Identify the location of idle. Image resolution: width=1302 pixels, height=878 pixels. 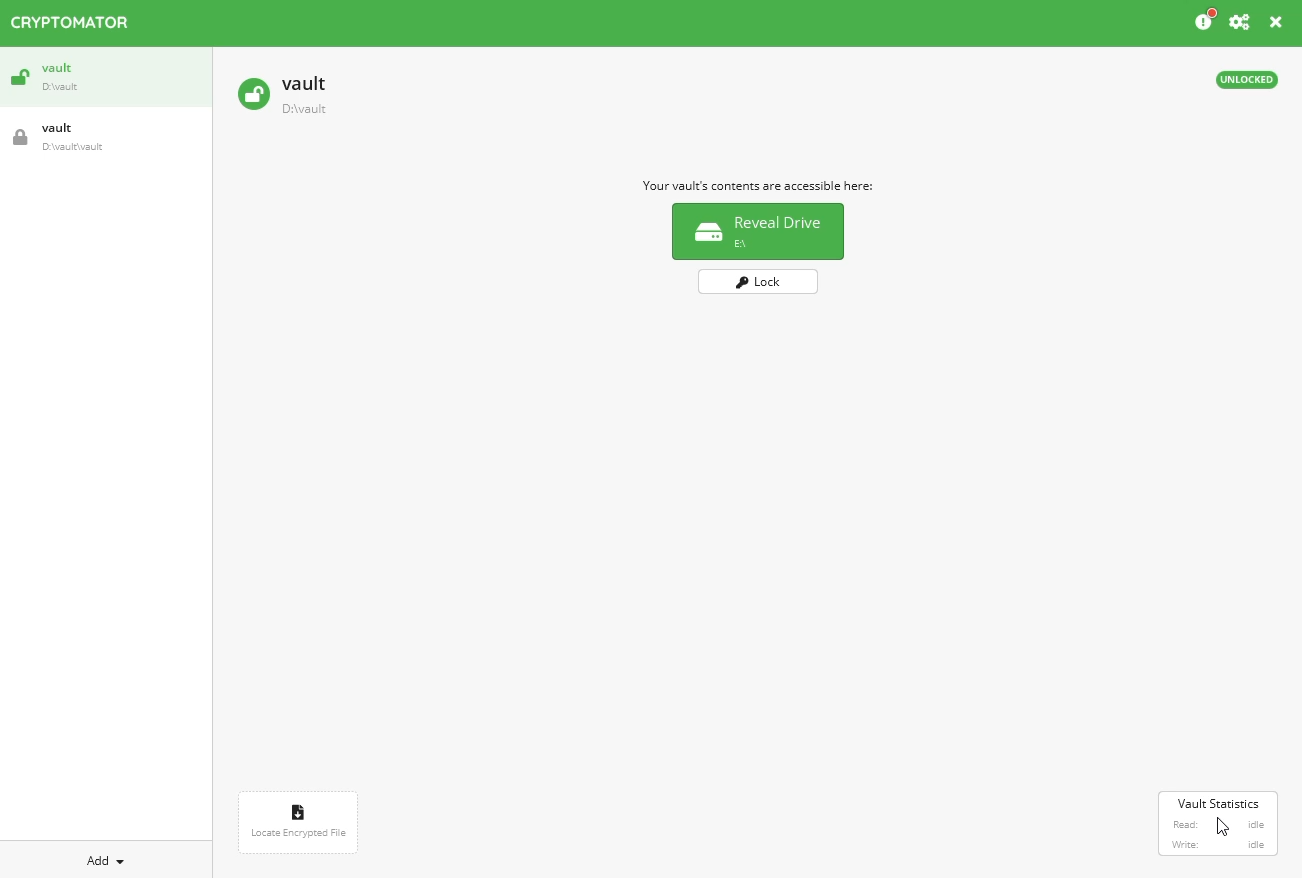
(1257, 845).